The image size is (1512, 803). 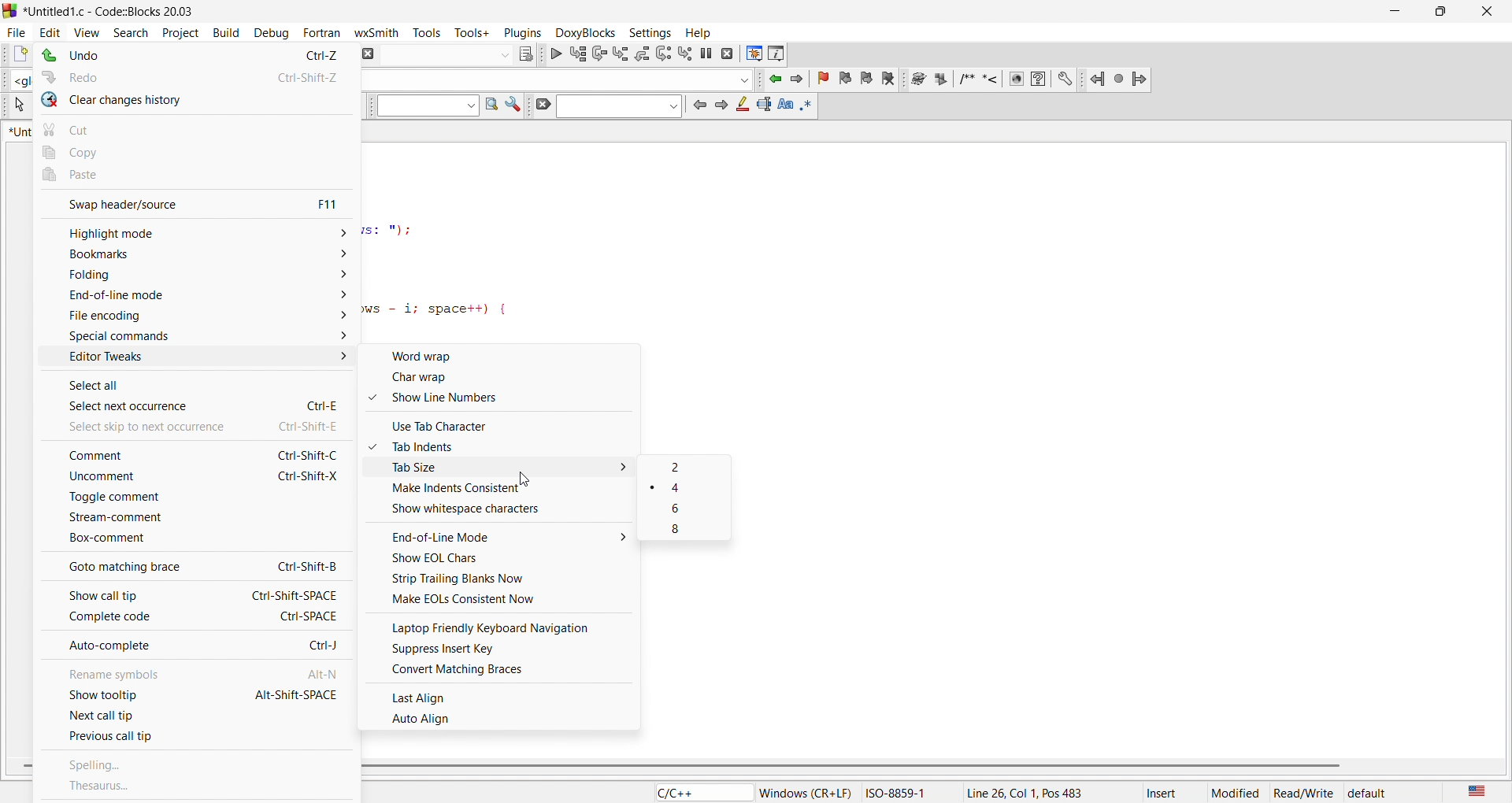 I want to click on editor tweaks, so click(x=194, y=361).